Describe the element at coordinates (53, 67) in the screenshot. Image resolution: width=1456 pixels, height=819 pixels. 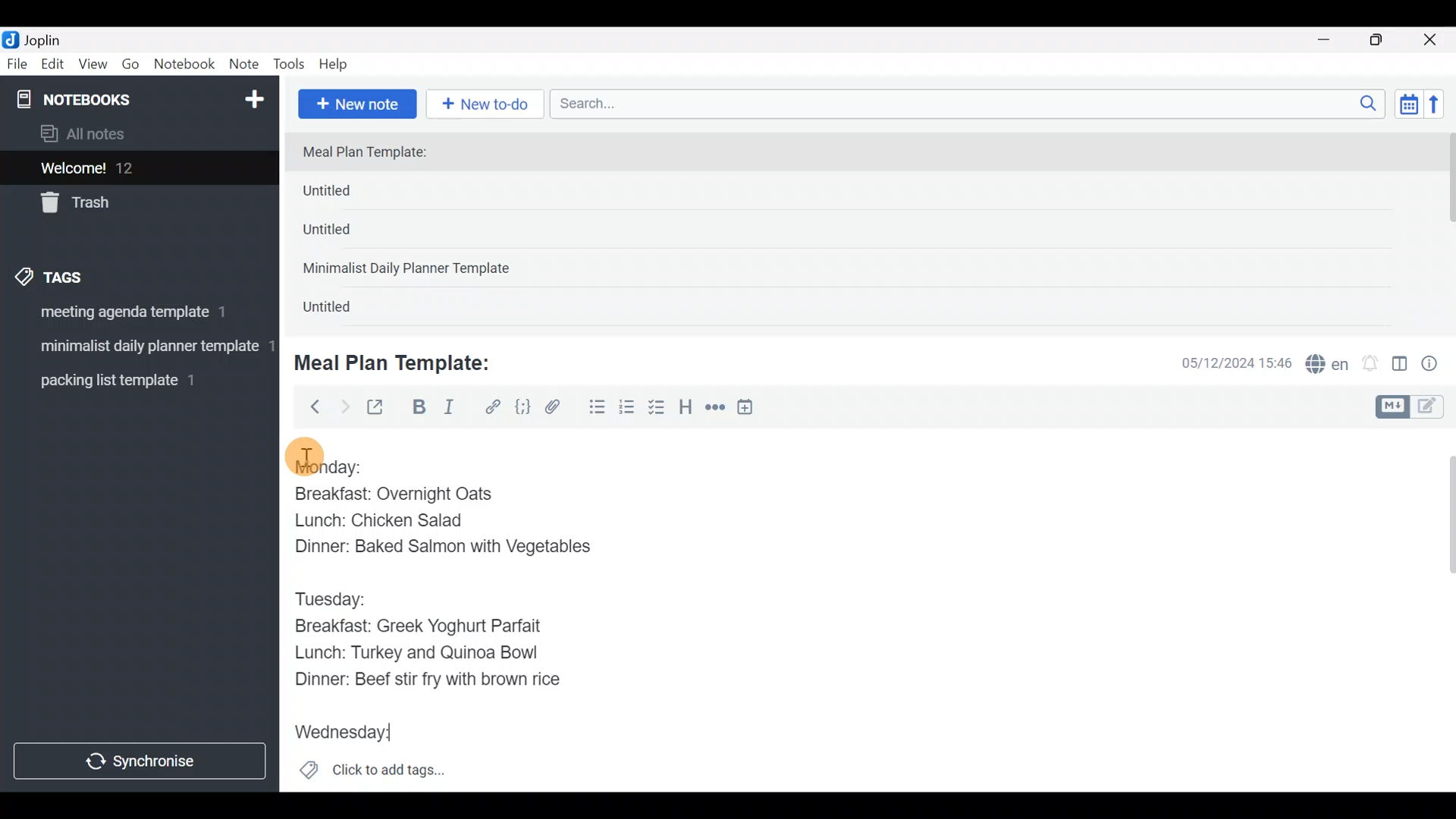
I see `Edit` at that location.